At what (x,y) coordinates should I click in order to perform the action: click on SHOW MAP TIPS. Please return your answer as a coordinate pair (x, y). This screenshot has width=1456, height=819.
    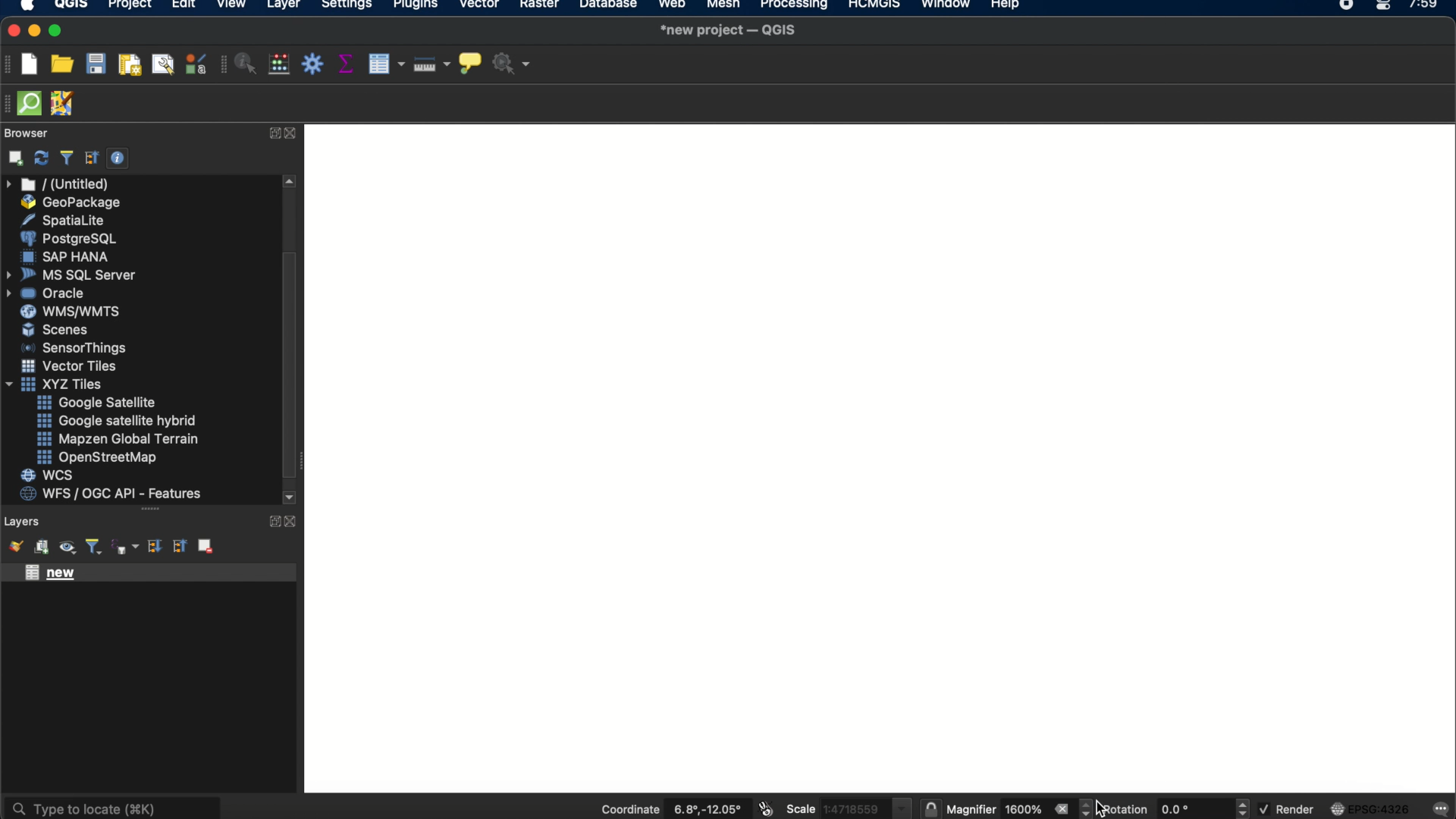
    Looking at the image, I should click on (470, 67).